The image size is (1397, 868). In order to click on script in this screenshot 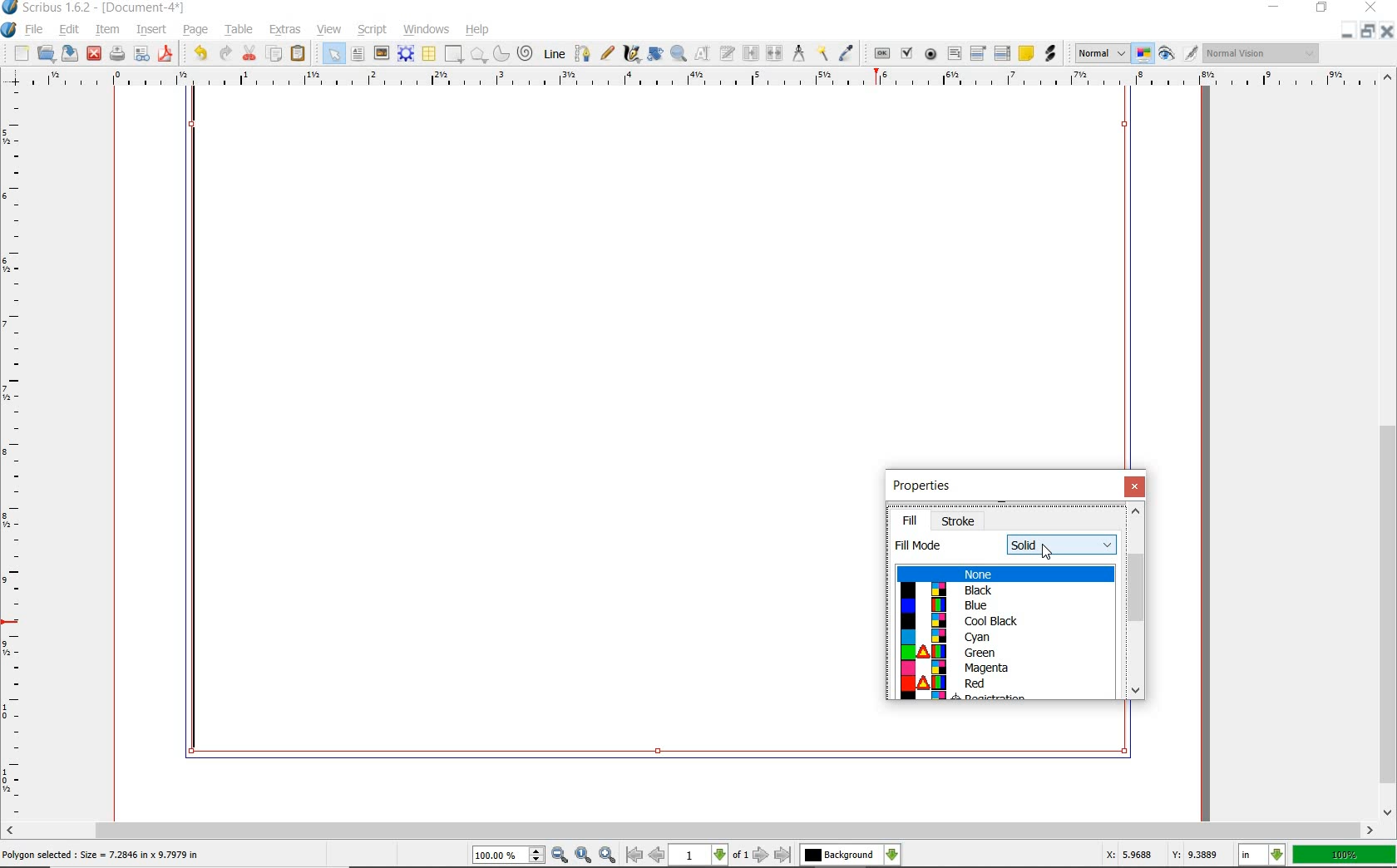, I will do `click(374, 30)`.